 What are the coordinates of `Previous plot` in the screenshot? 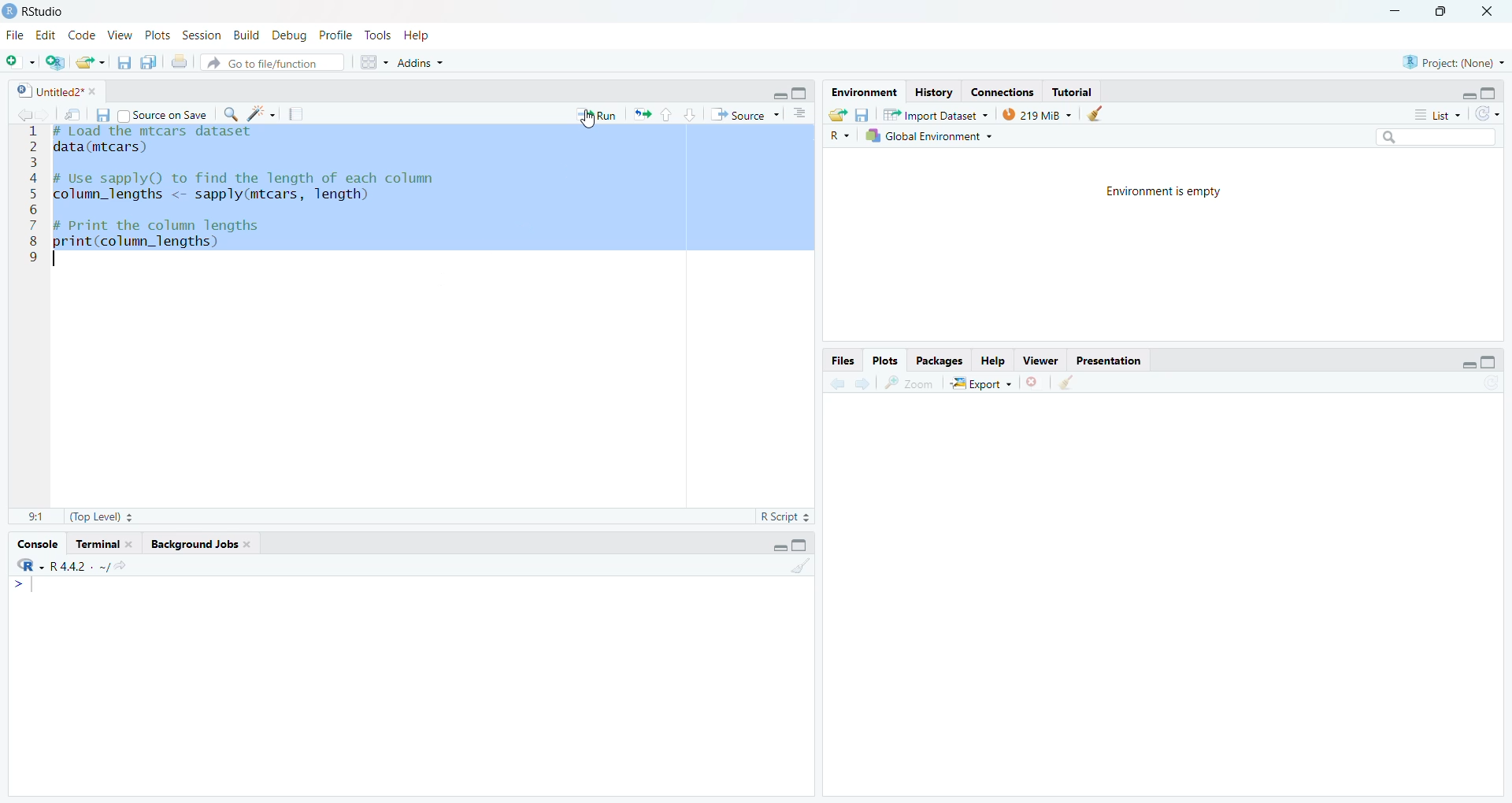 It's located at (837, 382).